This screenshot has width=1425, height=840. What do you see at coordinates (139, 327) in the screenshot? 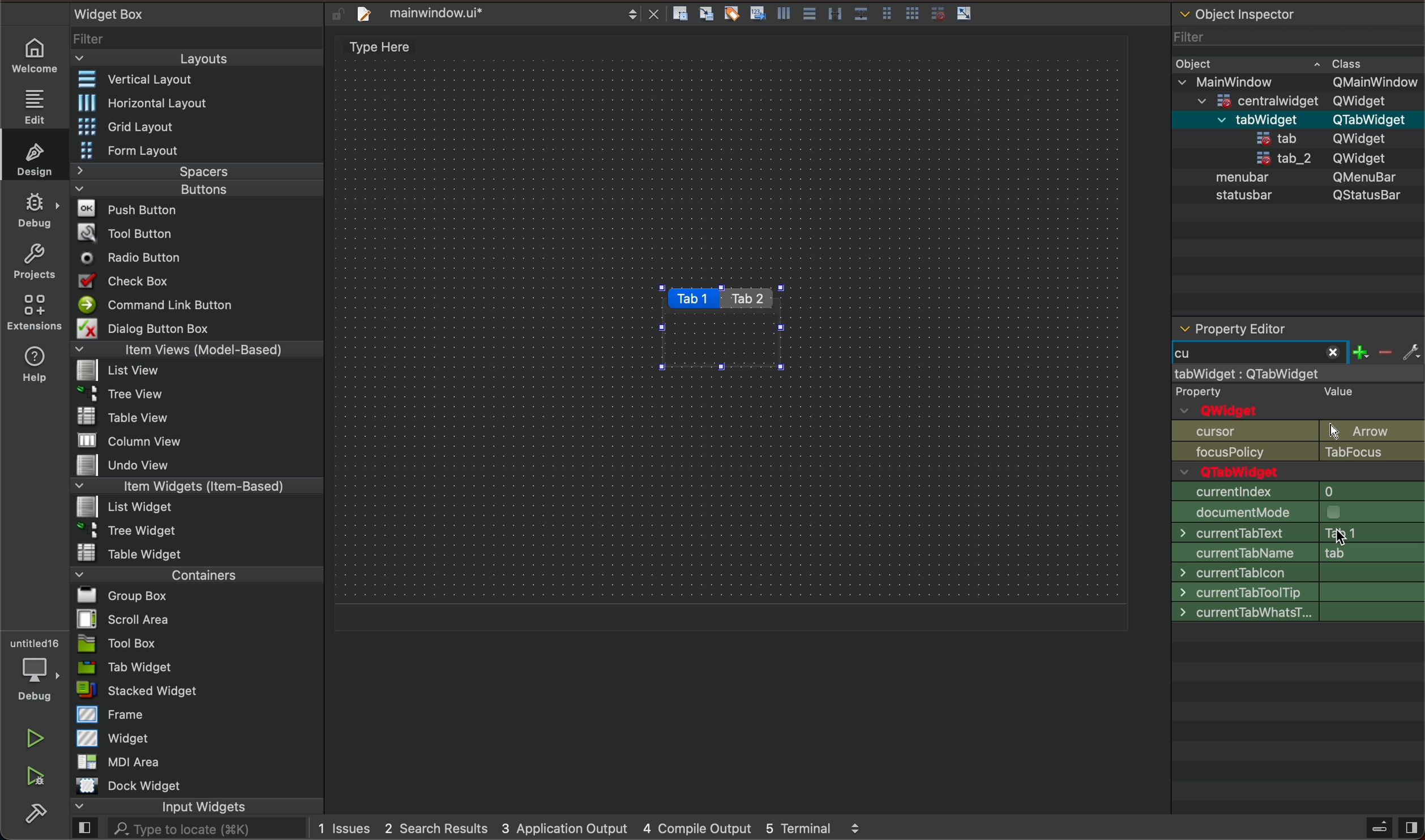
I see `Dialog Button Box` at bounding box center [139, 327].